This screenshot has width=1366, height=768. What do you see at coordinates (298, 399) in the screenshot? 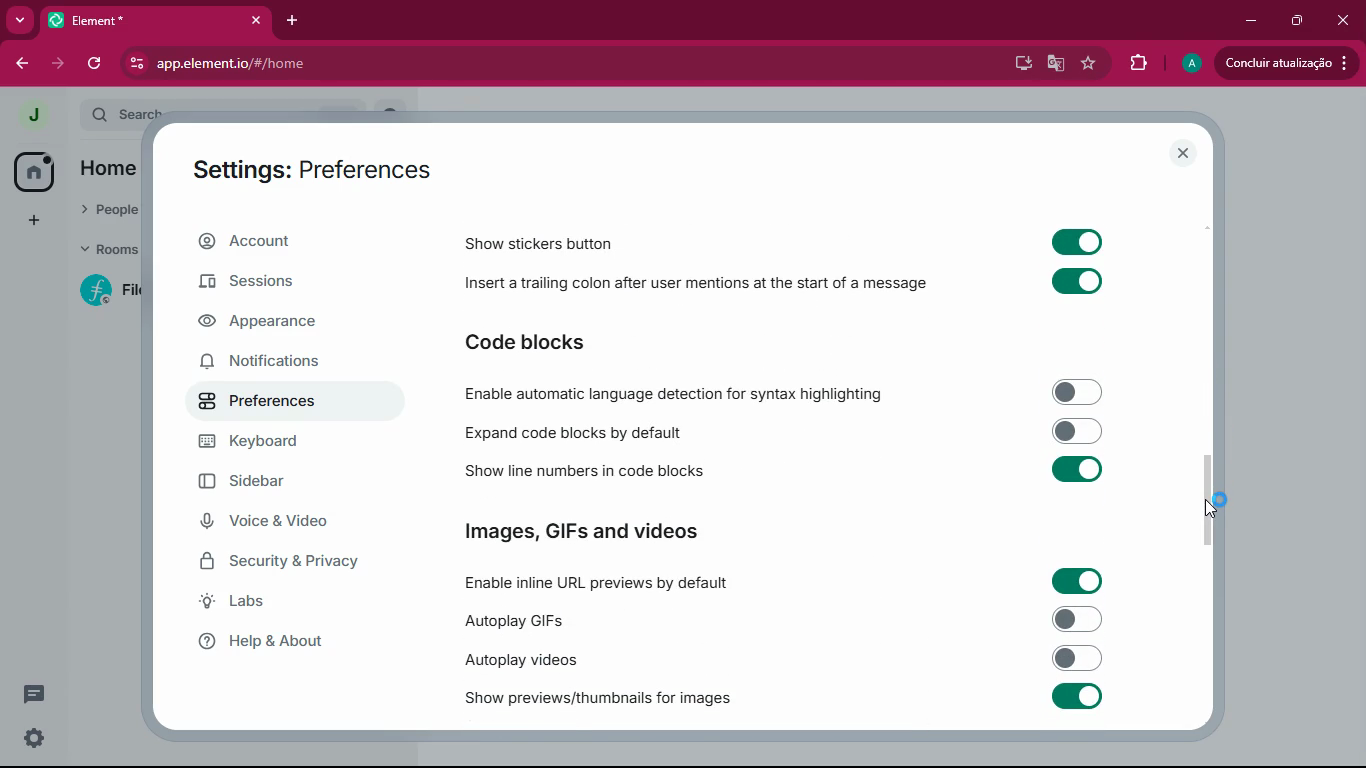
I see `Preferences` at bounding box center [298, 399].